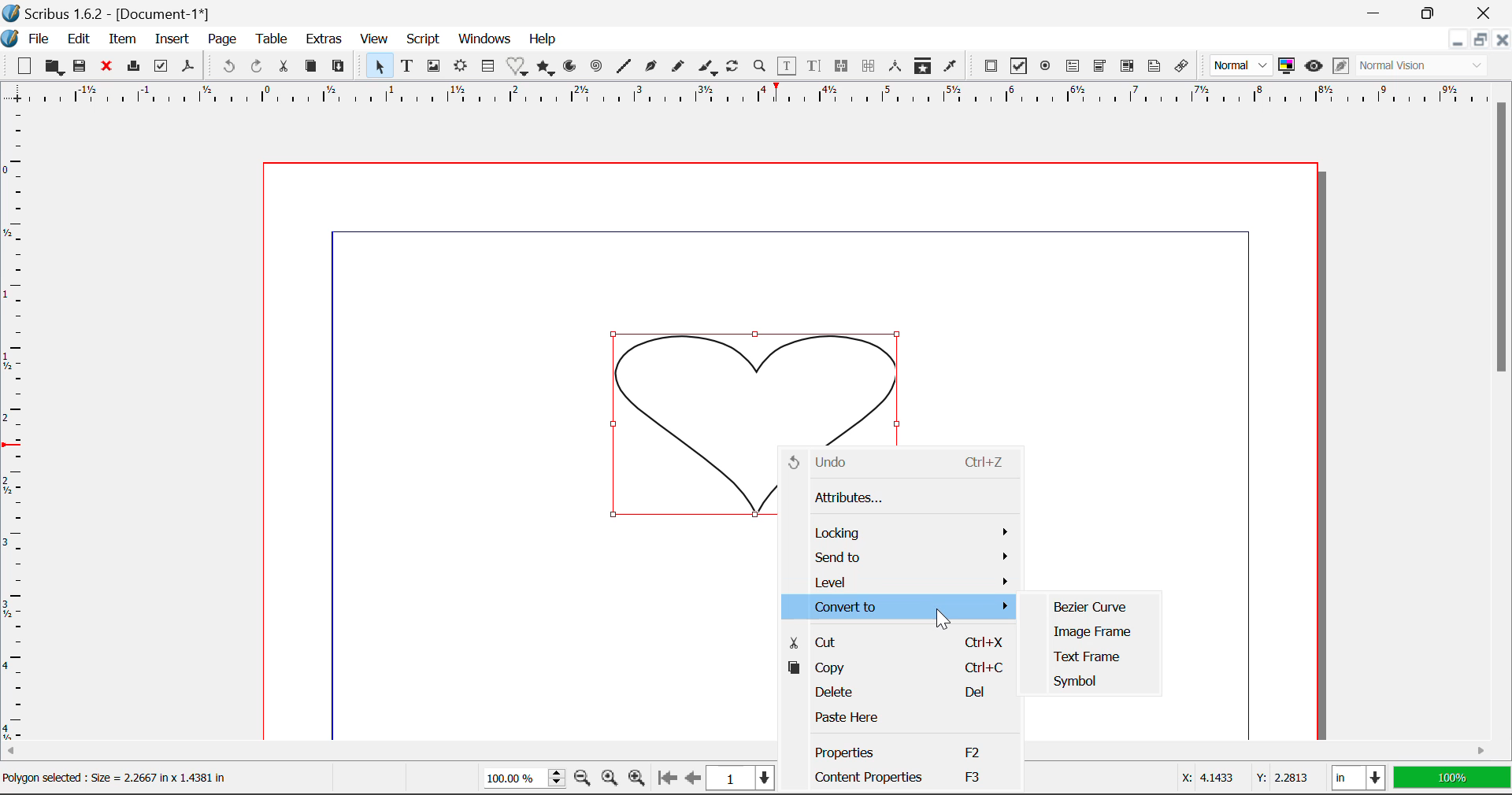  I want to click on Zoom, so click(762, 68).